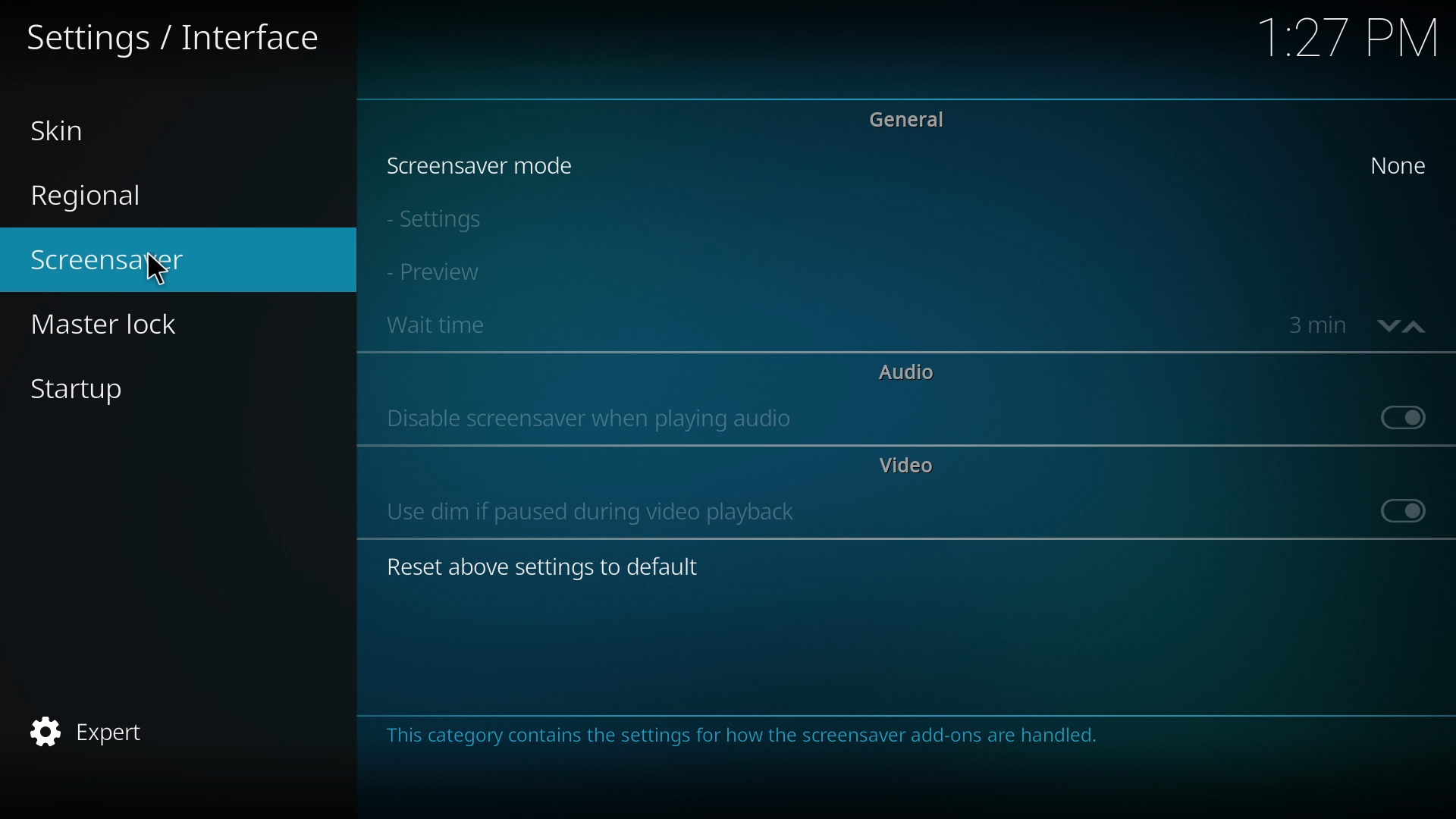 This screenshot has width=1456, height=819. What do you see at coordinates (180, 35) in the screenshot?
I see `settings/interface` at bounding box center [180, 35].